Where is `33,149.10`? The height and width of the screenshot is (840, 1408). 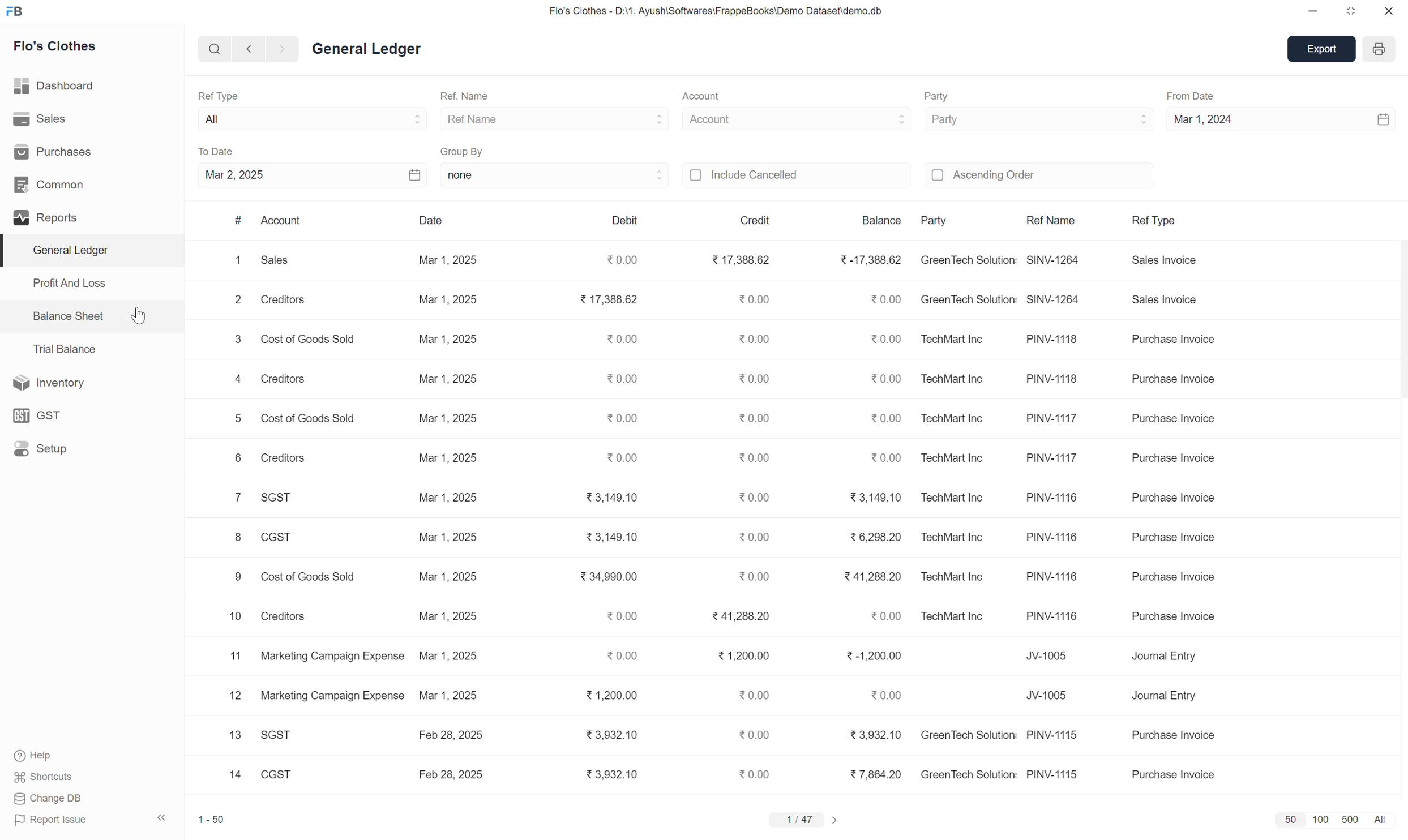
33,149.10 is located at coordinates (607, 537).